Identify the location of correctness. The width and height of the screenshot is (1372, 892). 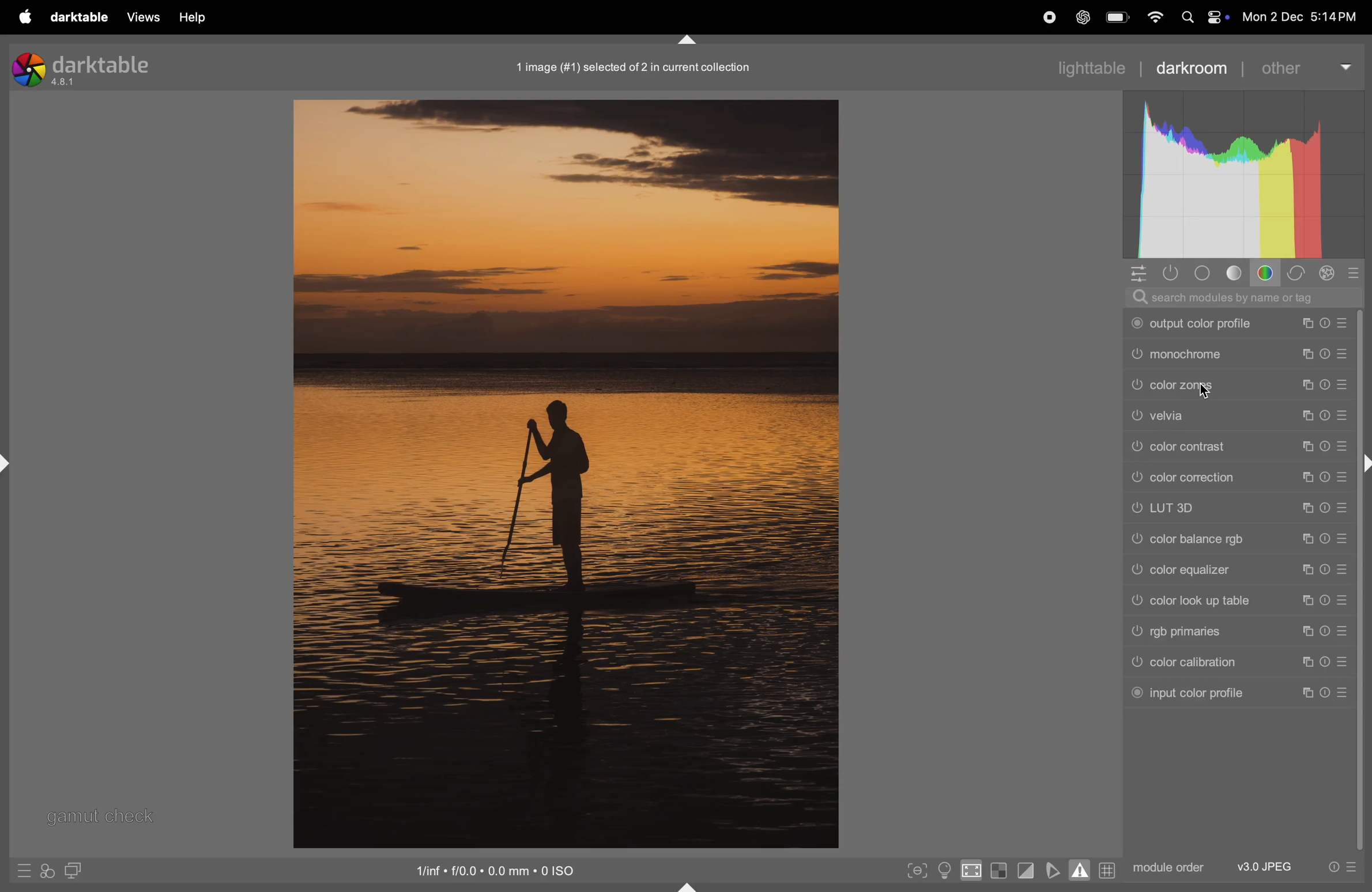
(1301, 273).